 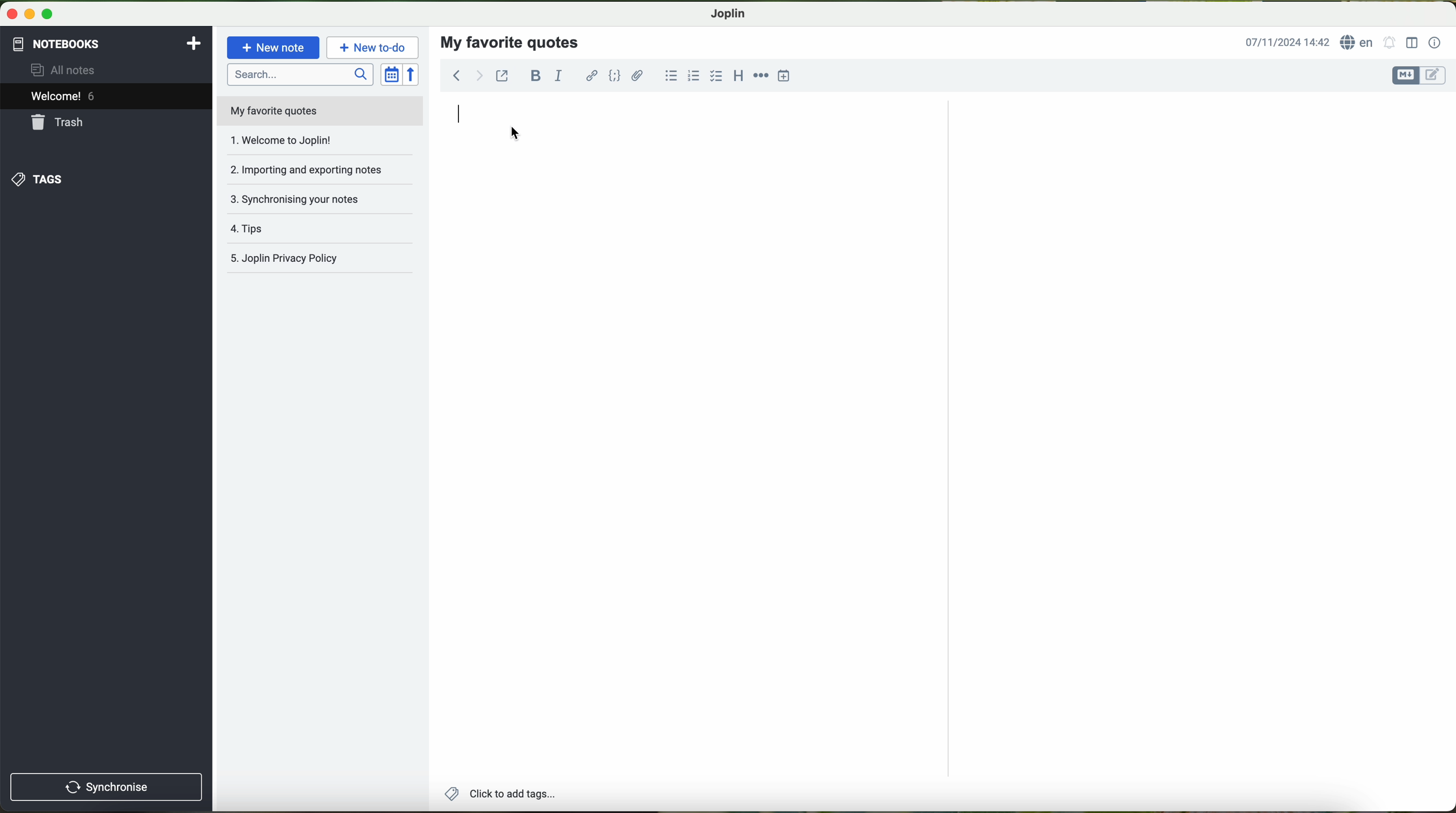 I want to click on attach files, so click(x=639, y=78).